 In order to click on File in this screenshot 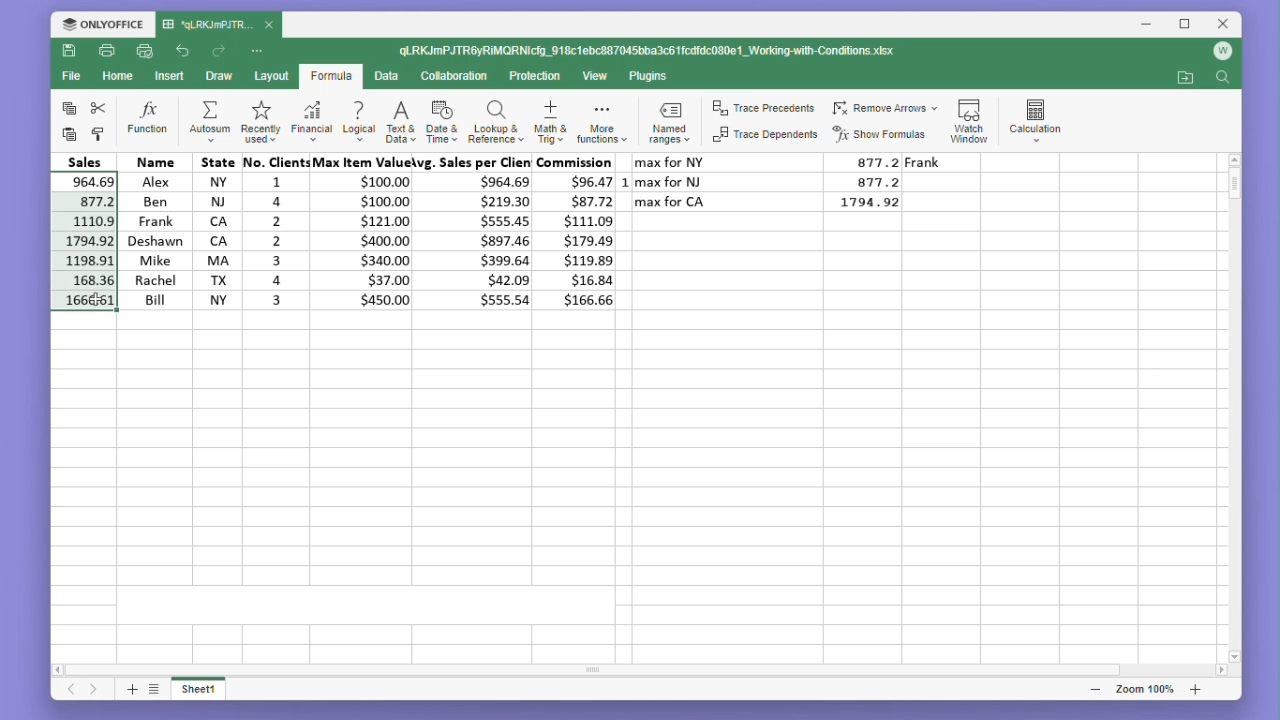, I will do `click(70, 76)`.